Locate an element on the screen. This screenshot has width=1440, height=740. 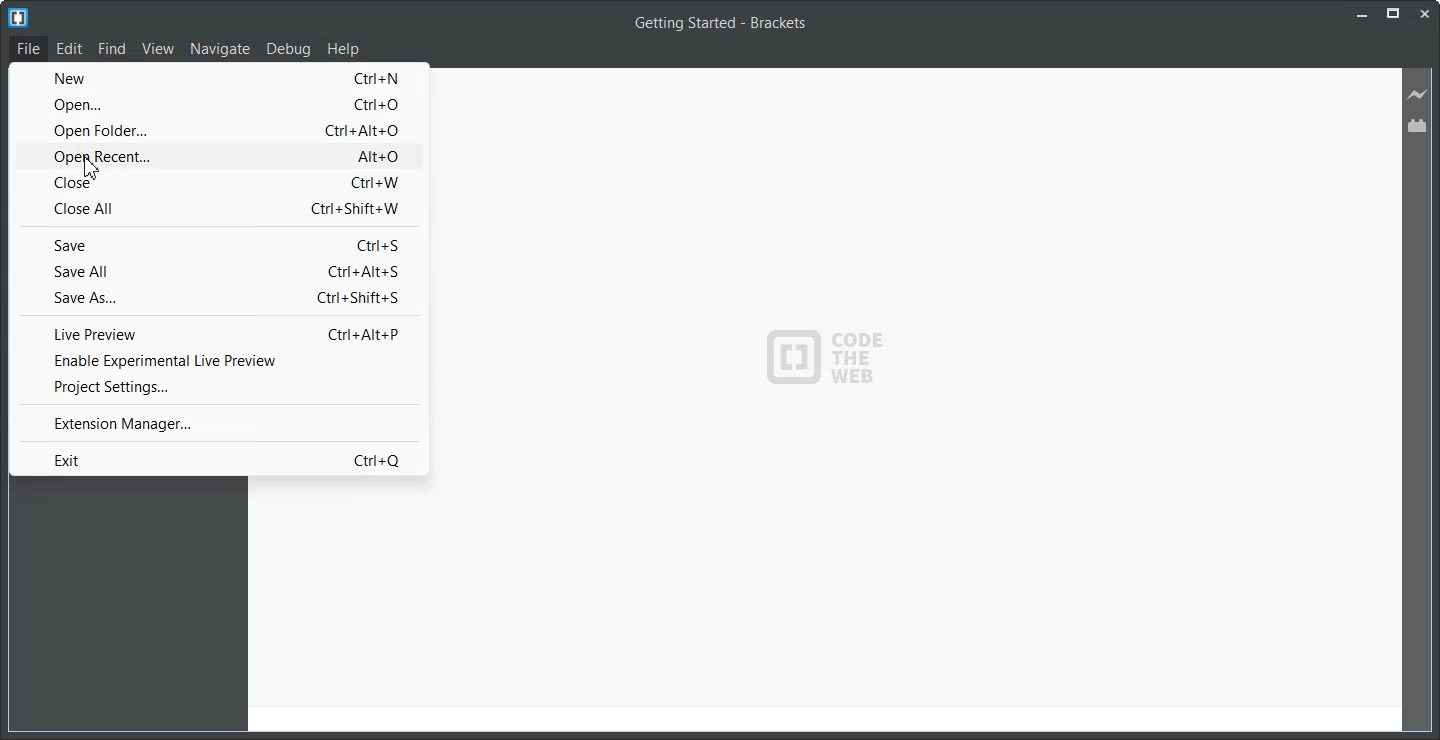
Open Folder is located at coordinates (216, 129).